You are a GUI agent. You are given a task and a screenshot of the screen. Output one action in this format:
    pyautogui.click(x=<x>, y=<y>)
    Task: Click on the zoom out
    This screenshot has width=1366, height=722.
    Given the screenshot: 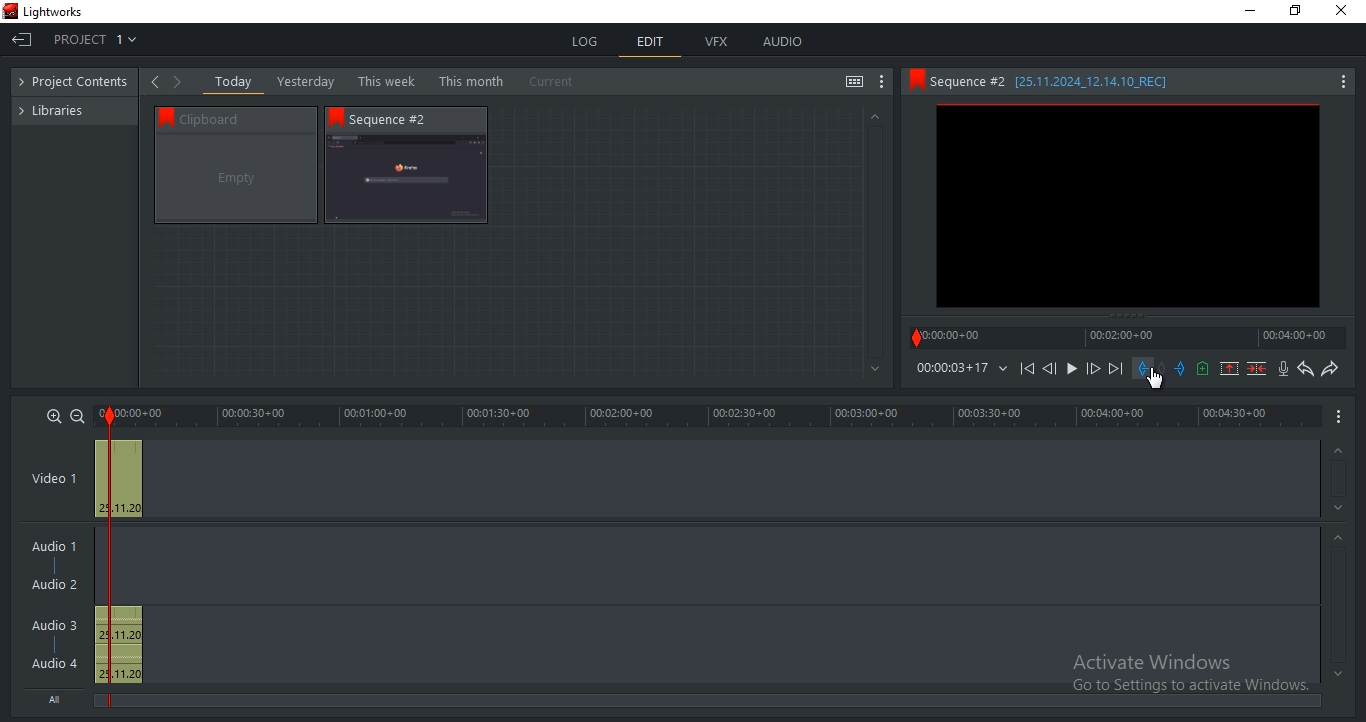 What is the action you would take?
    pyautogui.click(x=77, y=416)
    